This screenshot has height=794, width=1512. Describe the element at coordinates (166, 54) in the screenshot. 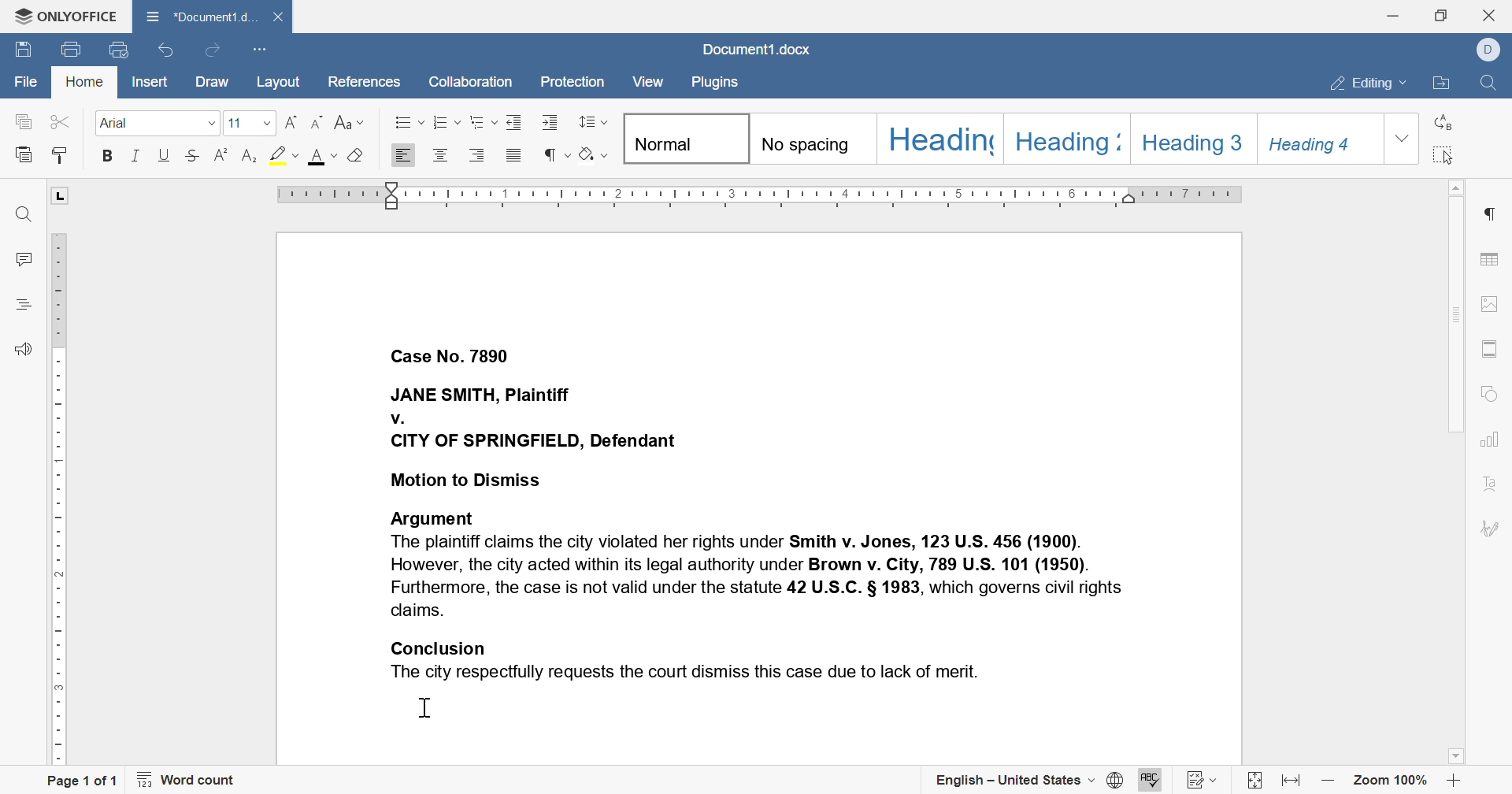

I see `undo` at that location.